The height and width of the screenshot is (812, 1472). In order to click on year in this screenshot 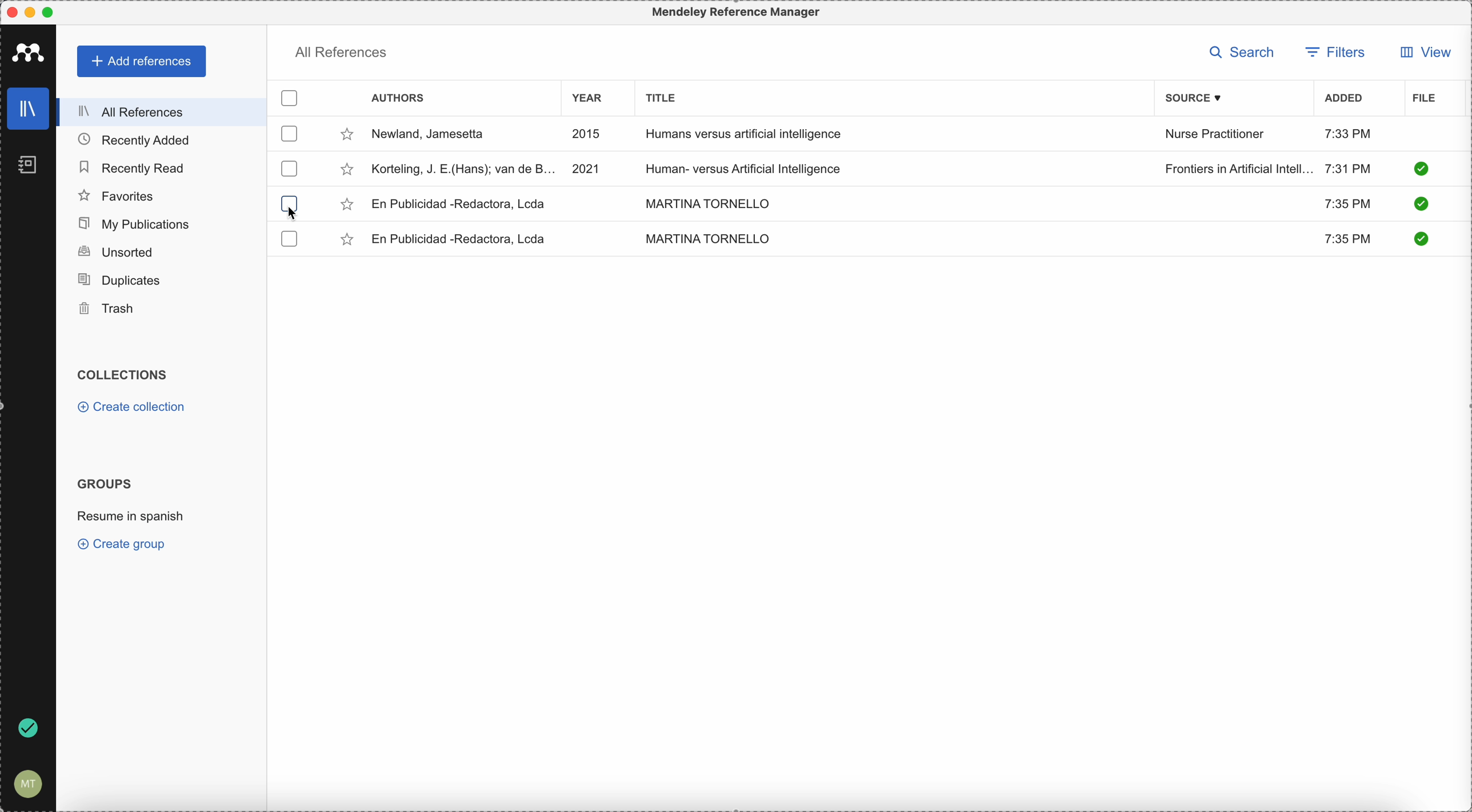, I will do `click(594, 100)`.